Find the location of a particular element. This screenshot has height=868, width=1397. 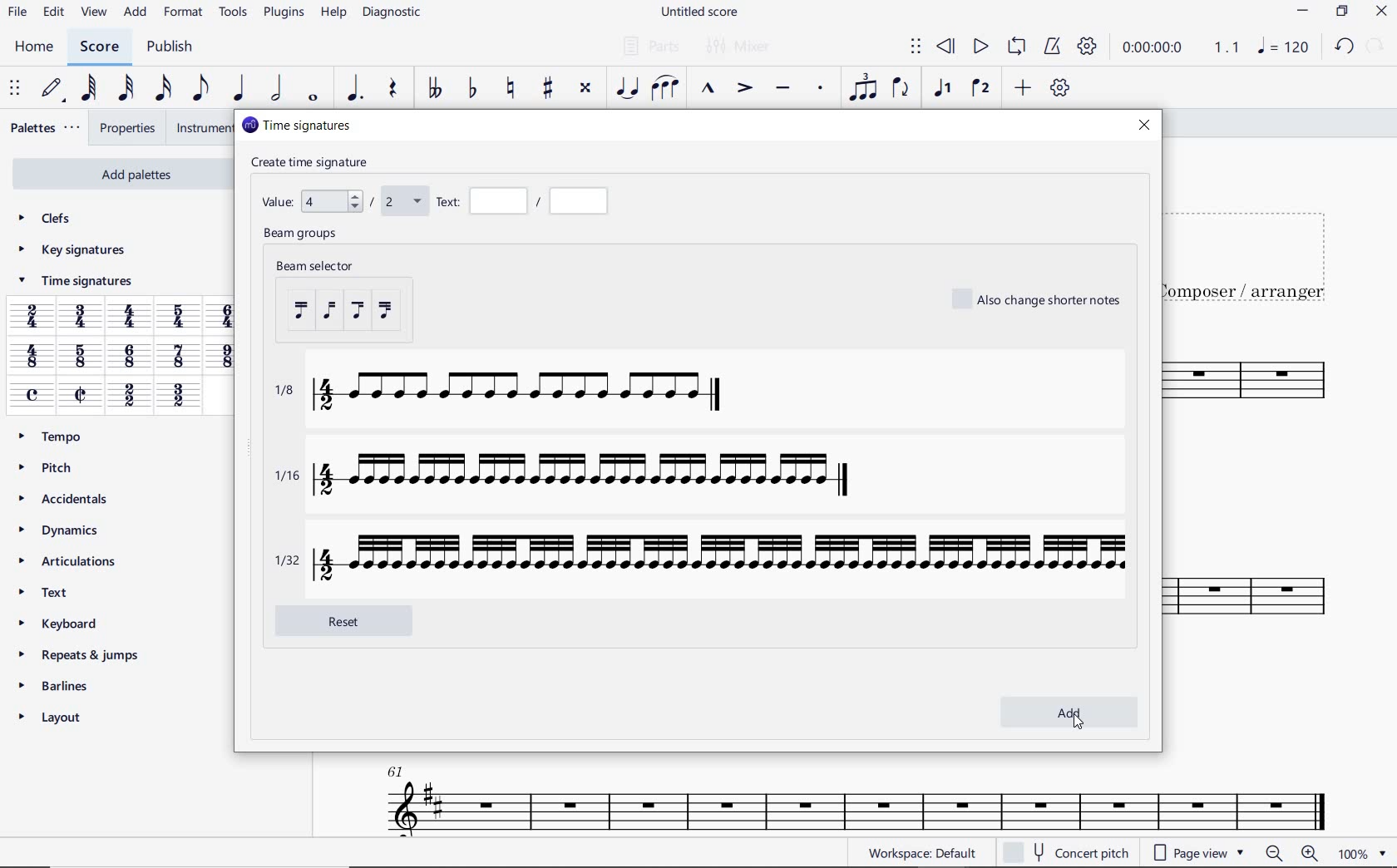

3/4 is located at coordinates (82, 318).